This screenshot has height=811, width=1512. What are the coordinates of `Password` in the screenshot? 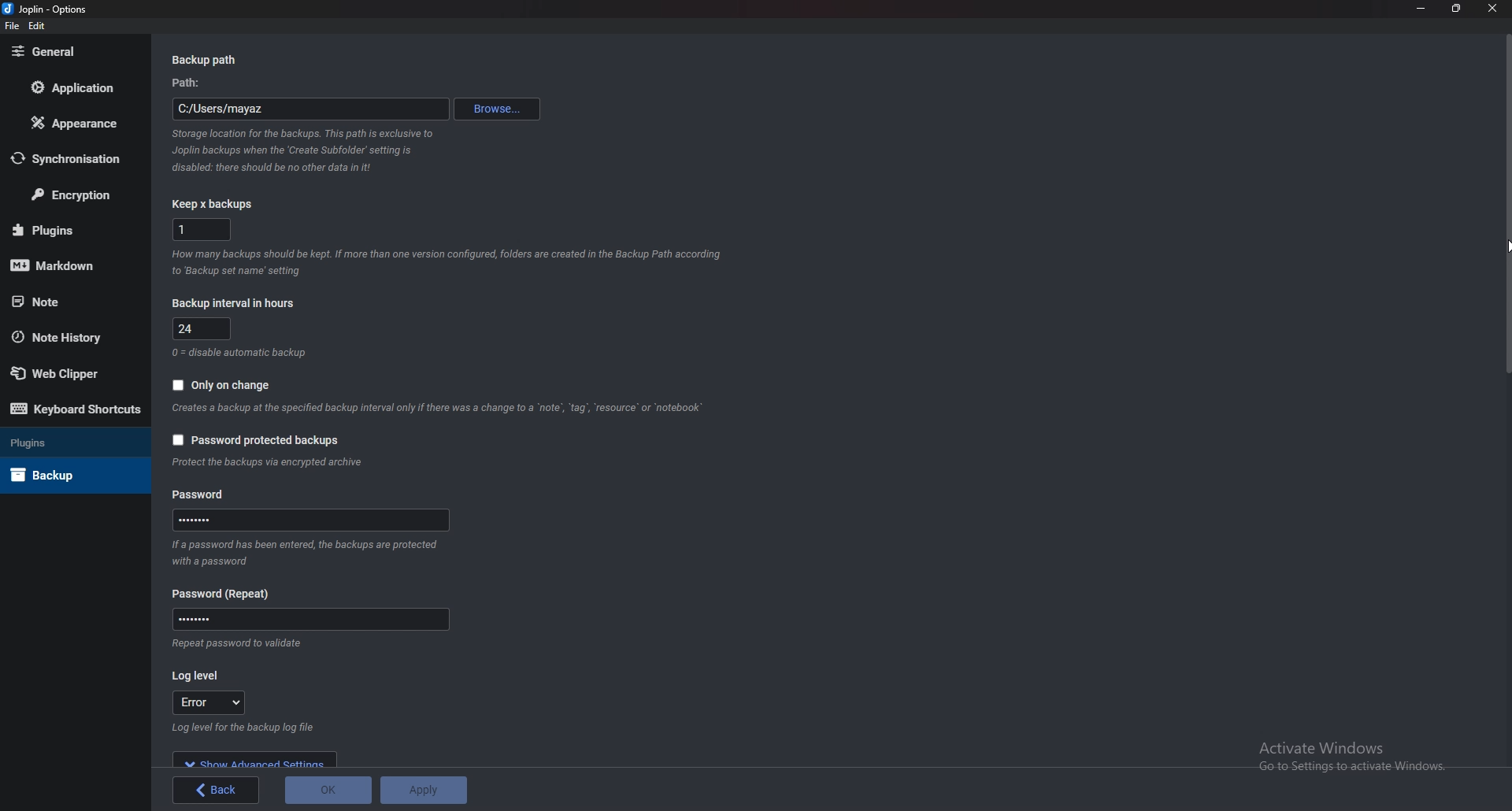 It's located at (310, 620).